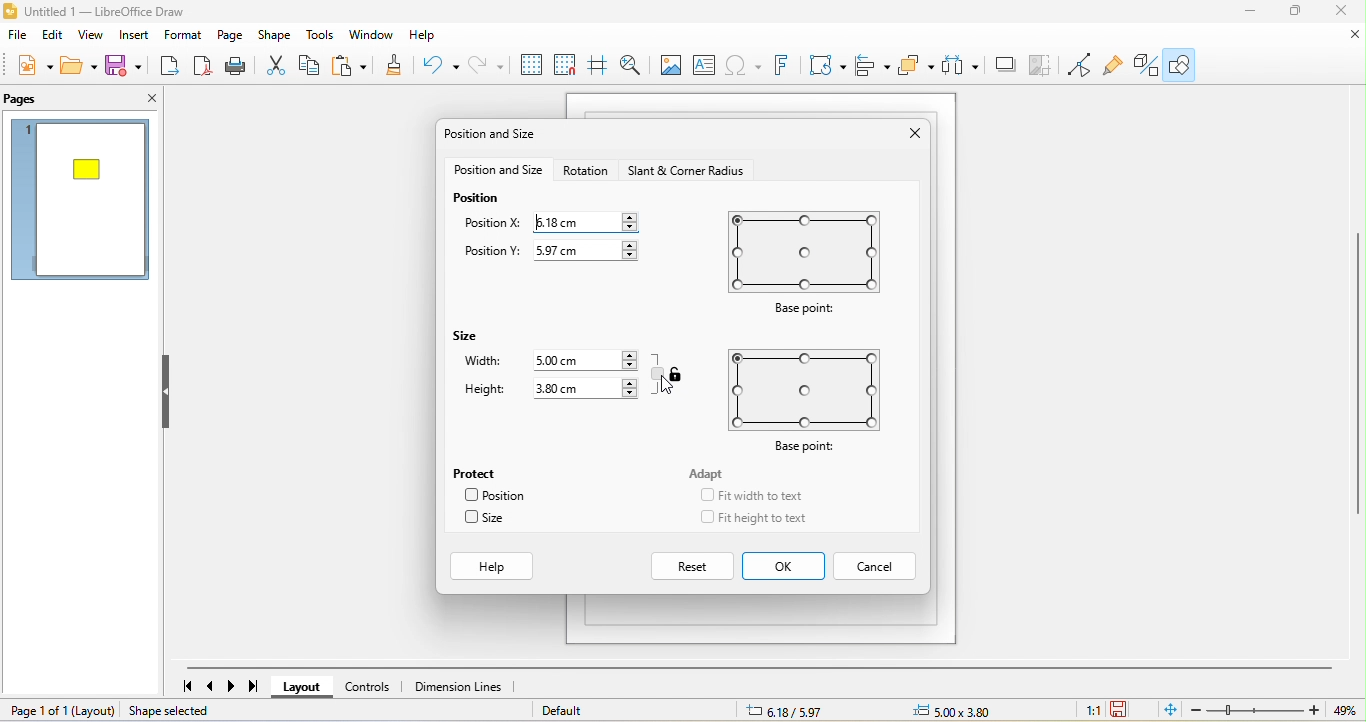 The height and width of the screenshot is (722, 1366). Describe the element at coordinates (568, 65) in the screenshot. I see `snap to grid` at that location.